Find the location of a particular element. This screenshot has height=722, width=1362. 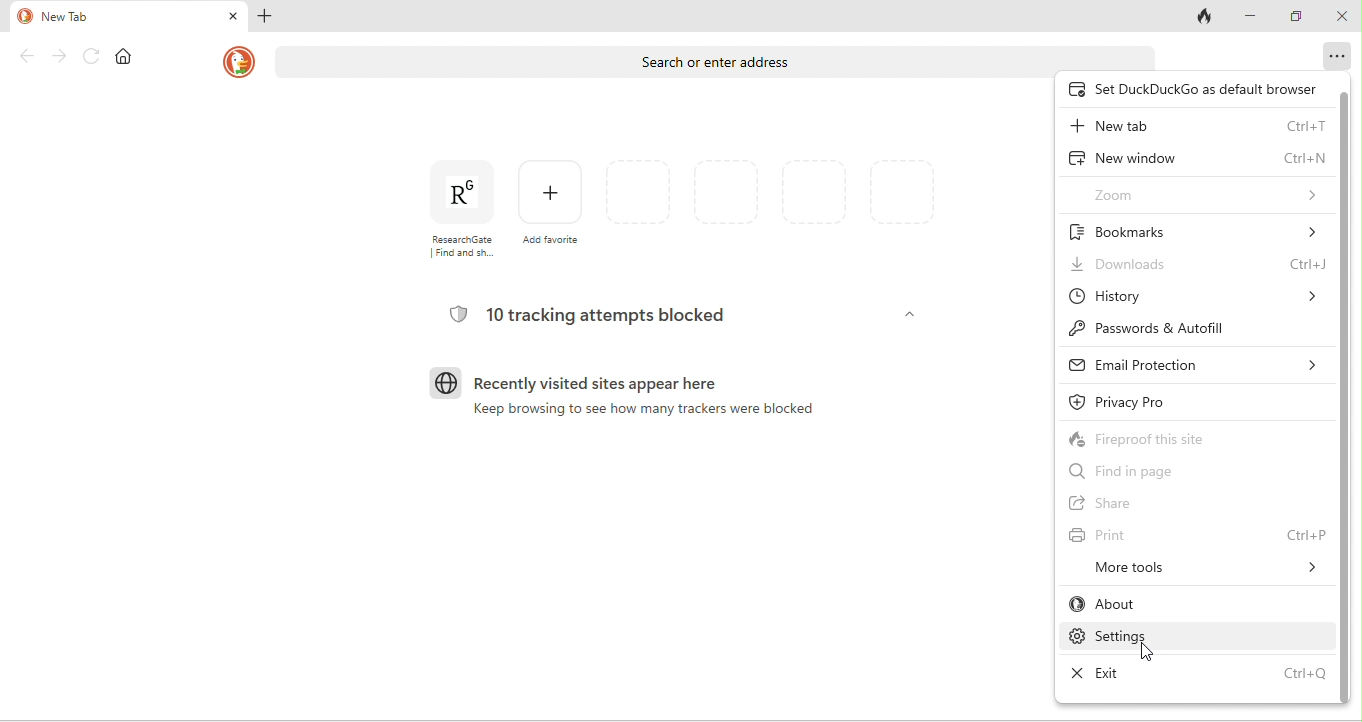

zoom is located at coordinates (1202, 191).